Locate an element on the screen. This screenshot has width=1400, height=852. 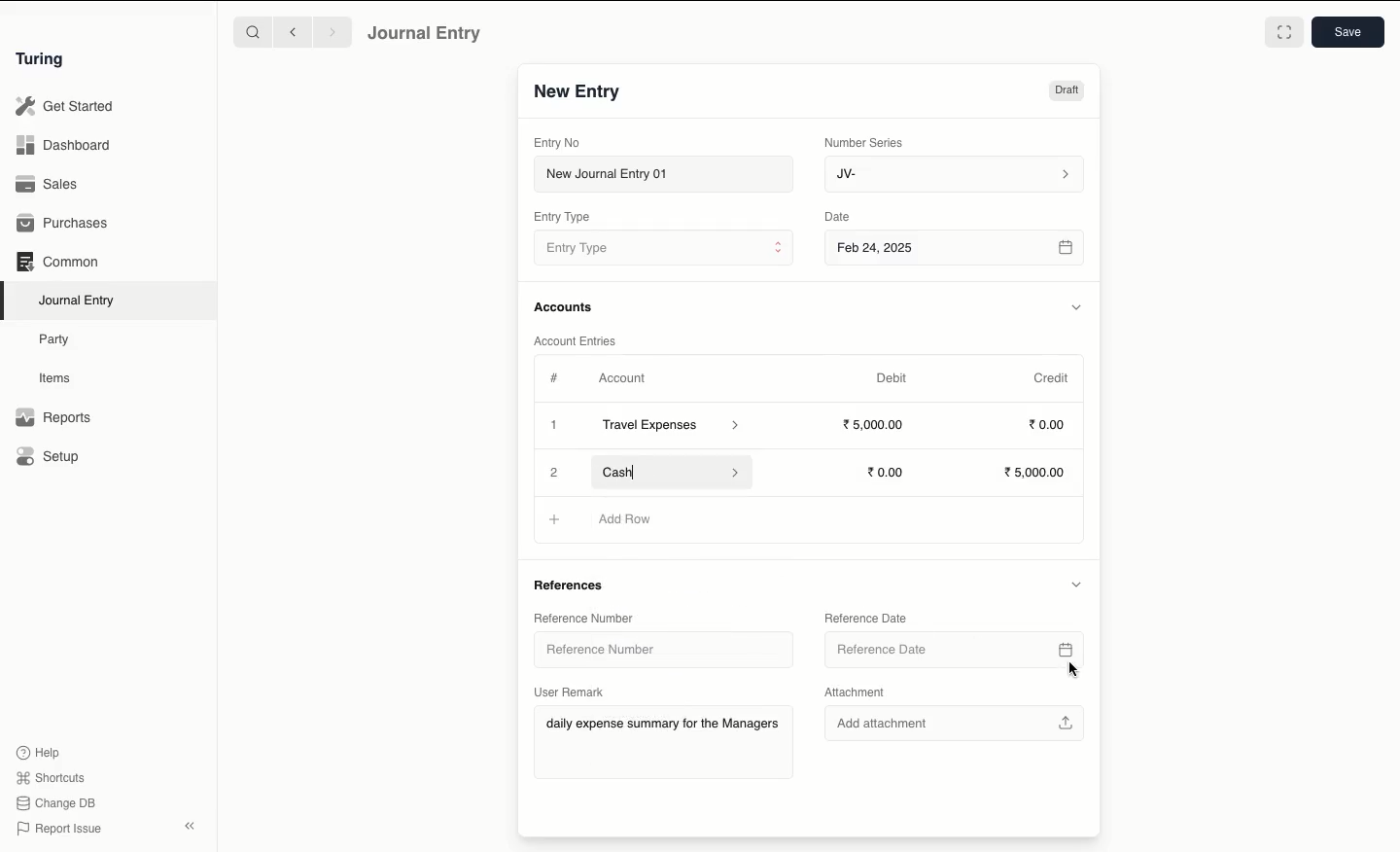
Change DB is located at coordinates (55, 803).